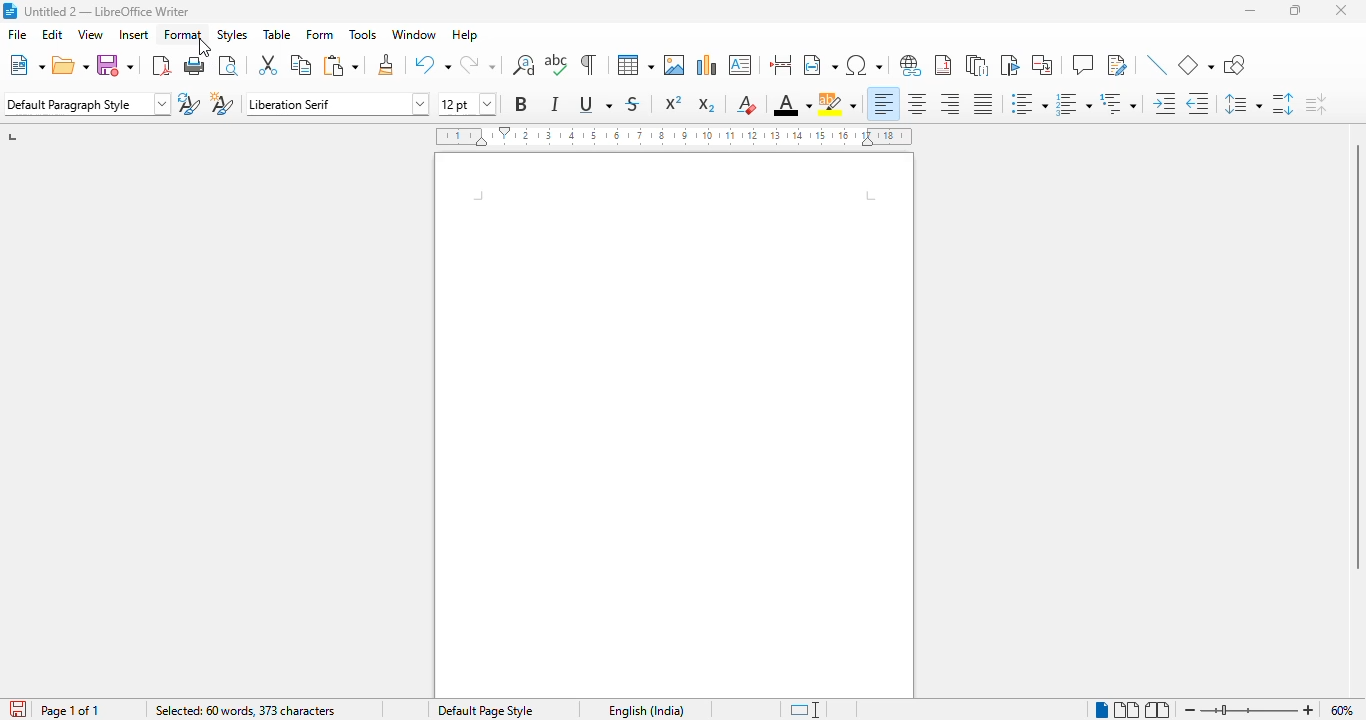 The image size is (1366, 720). Describe the element at coordinates (1309, 709) in the screenshot. I see `zoom in` at that location.